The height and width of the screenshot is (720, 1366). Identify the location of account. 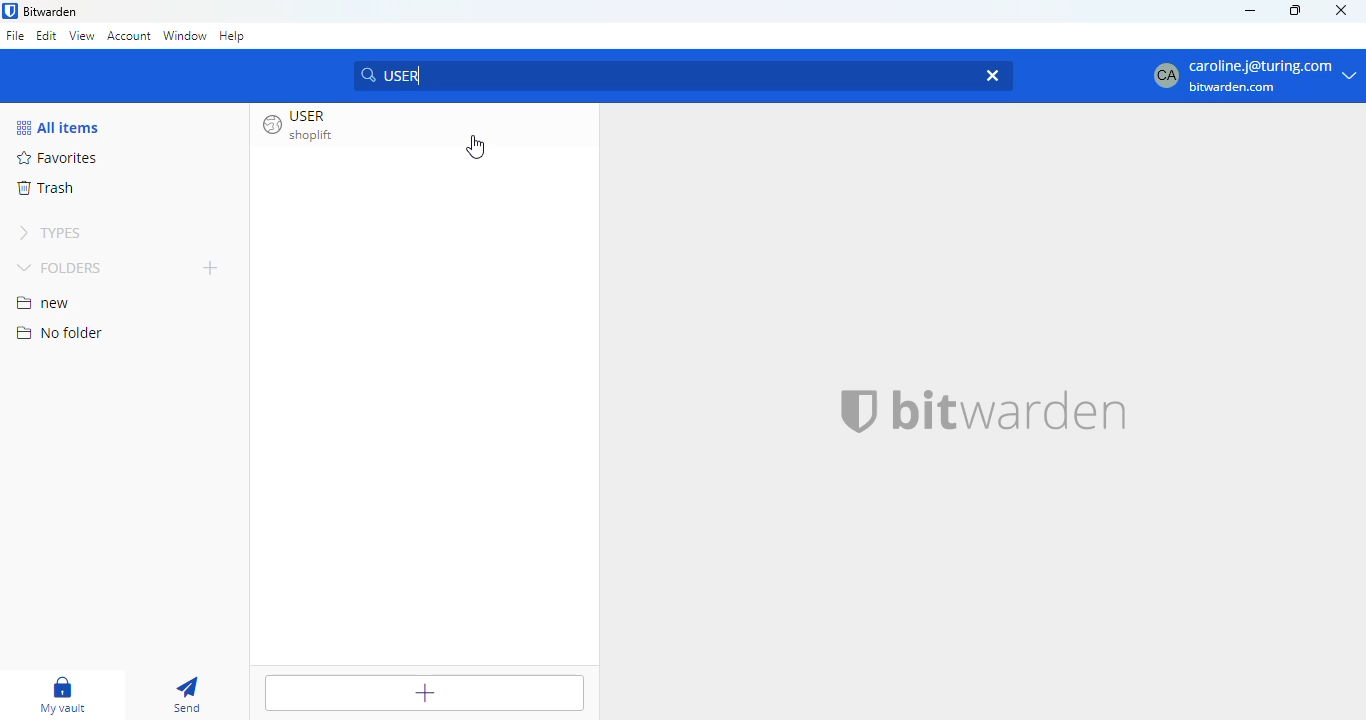
(129, 38).